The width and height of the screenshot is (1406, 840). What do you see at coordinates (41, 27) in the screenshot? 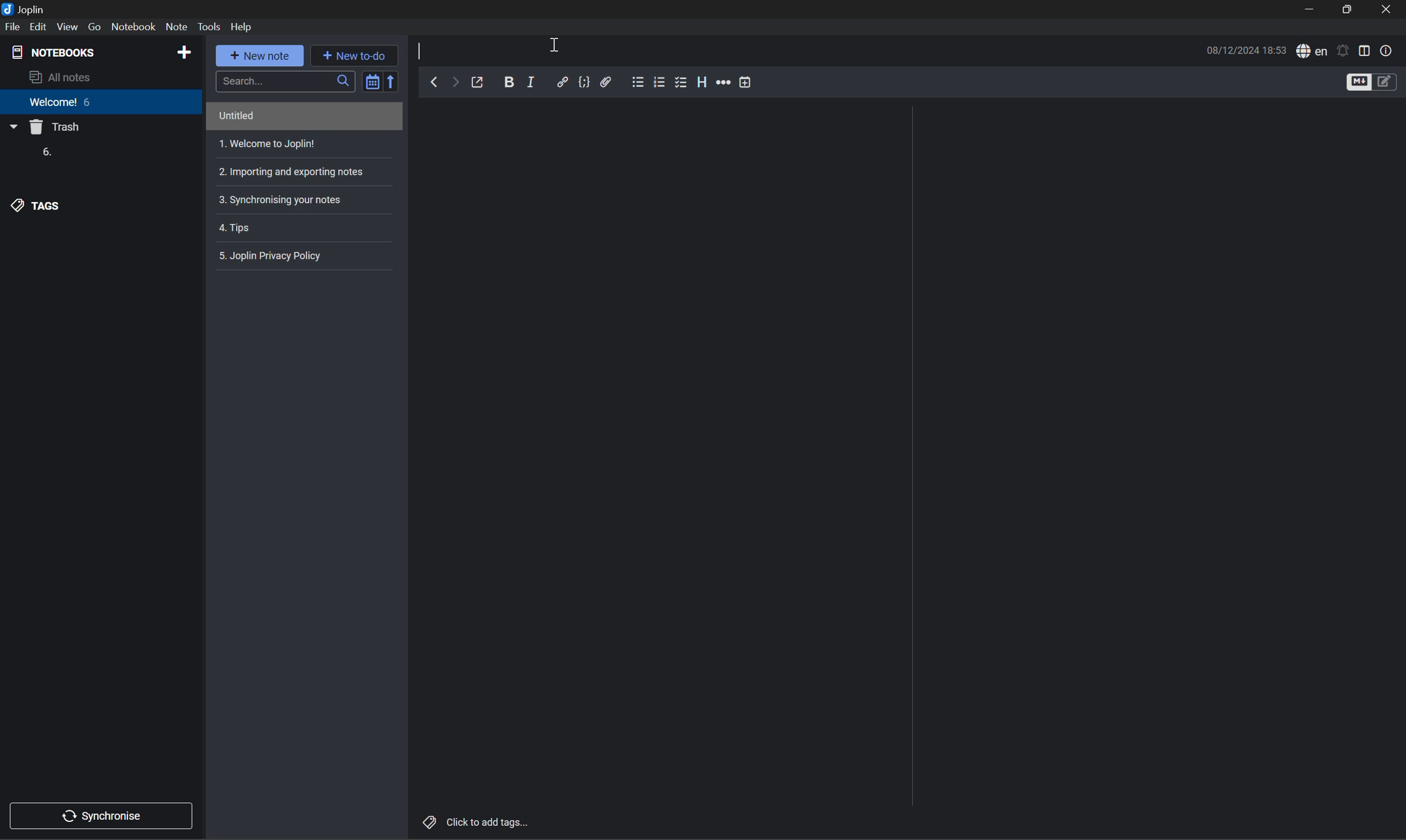
I see `Edit` at bounding box center [41, 27].